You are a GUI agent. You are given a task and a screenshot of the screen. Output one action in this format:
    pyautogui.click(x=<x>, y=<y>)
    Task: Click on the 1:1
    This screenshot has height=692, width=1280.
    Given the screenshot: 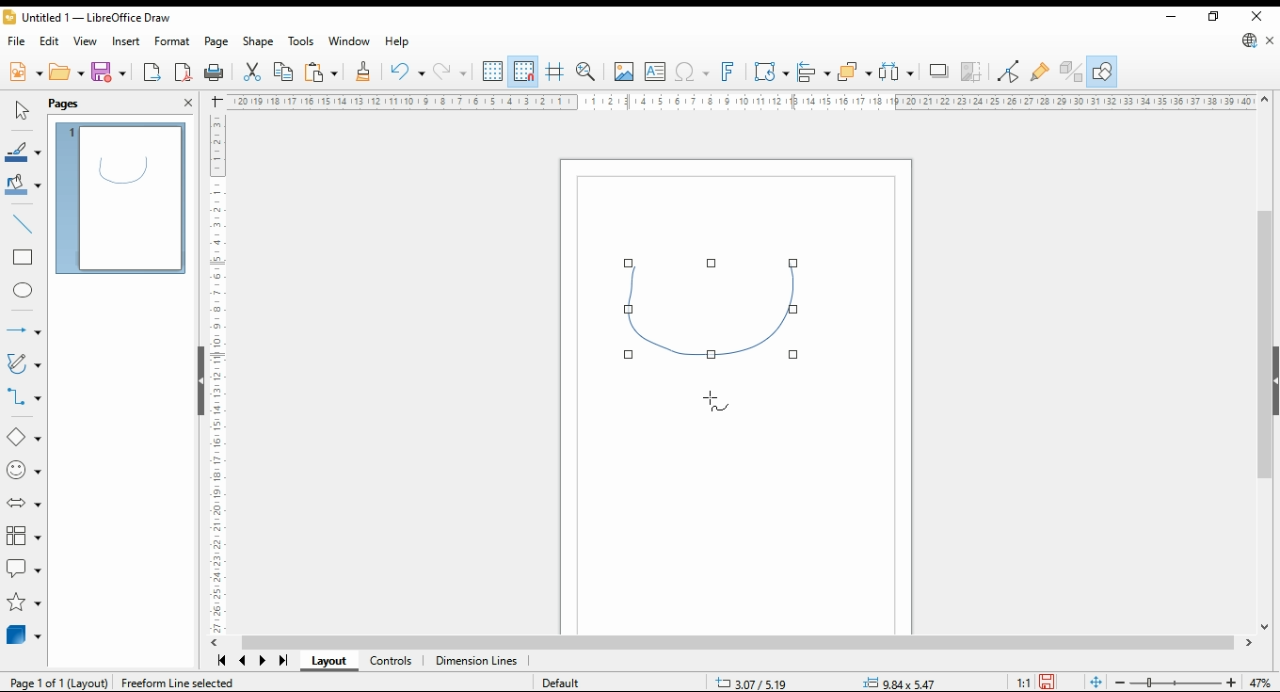 What is the action you would take?
    pyautogui.click(x=1022, y=682)
    